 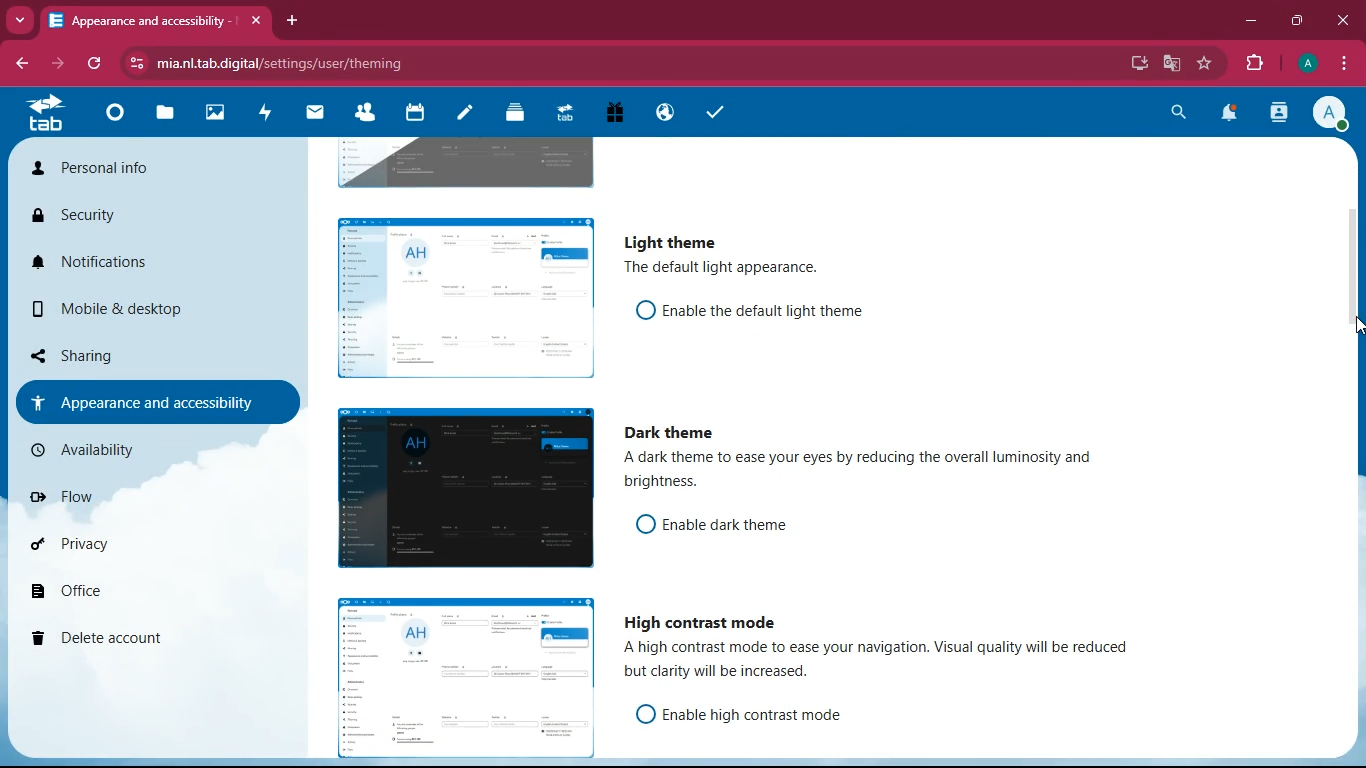 I want to click on activity, so click(x=1281, y=115).